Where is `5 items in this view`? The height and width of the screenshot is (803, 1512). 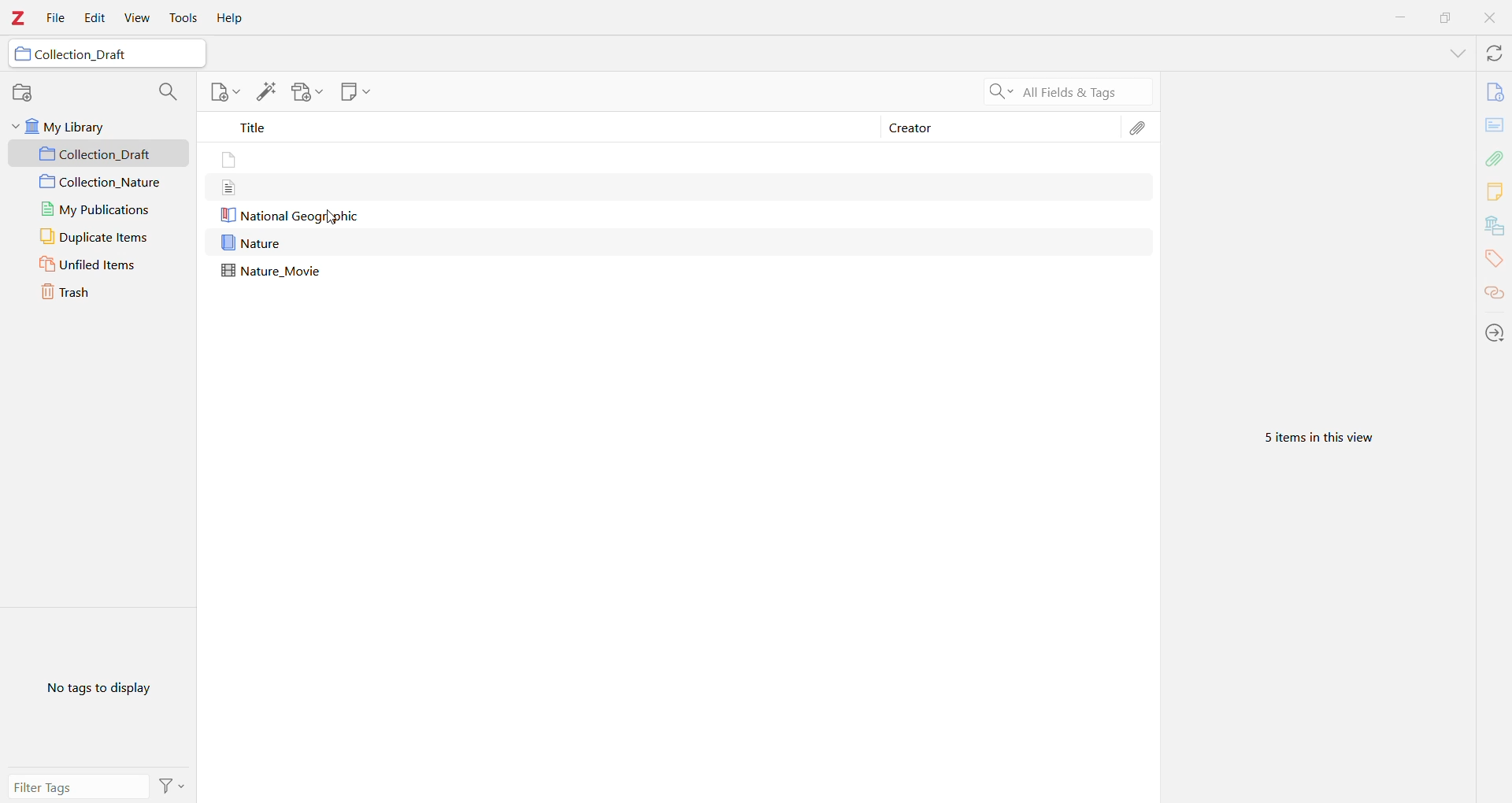
5 items in this view is located at coordinates (1317, 439).